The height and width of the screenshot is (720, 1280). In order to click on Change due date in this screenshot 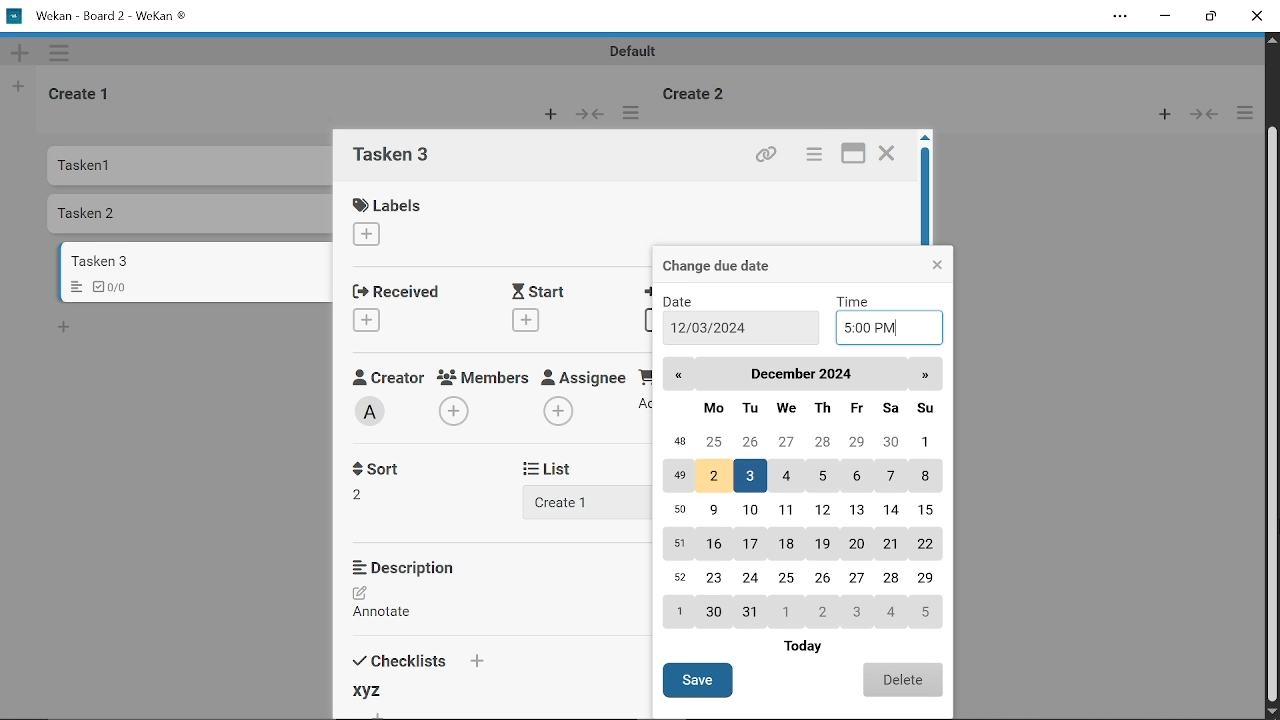, I will do `click(738, 264)`.